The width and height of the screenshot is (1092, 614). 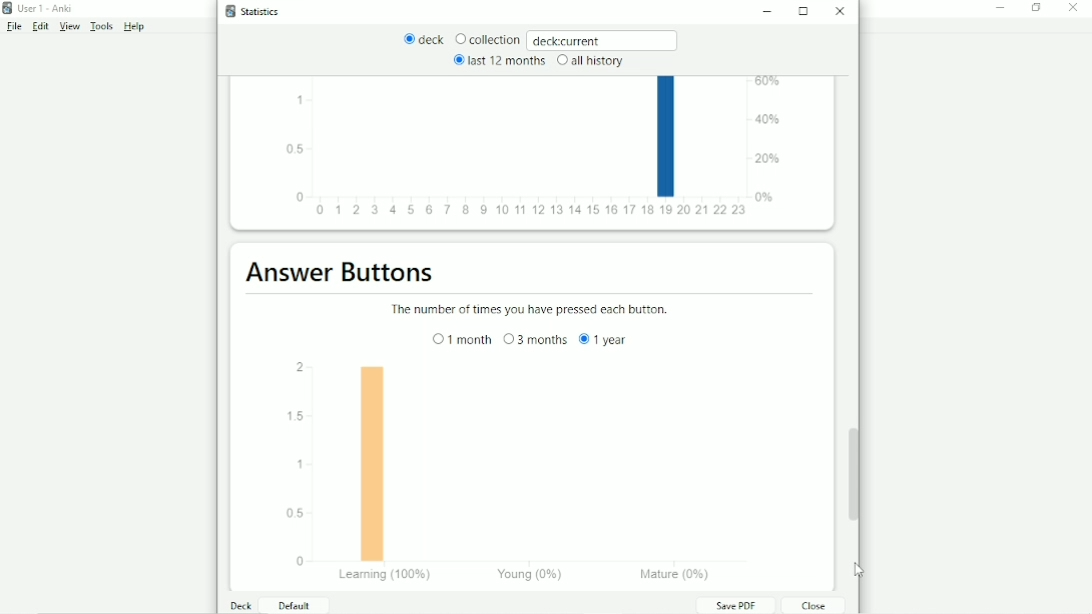 I want to click on all history, so click(x=589, y=61).